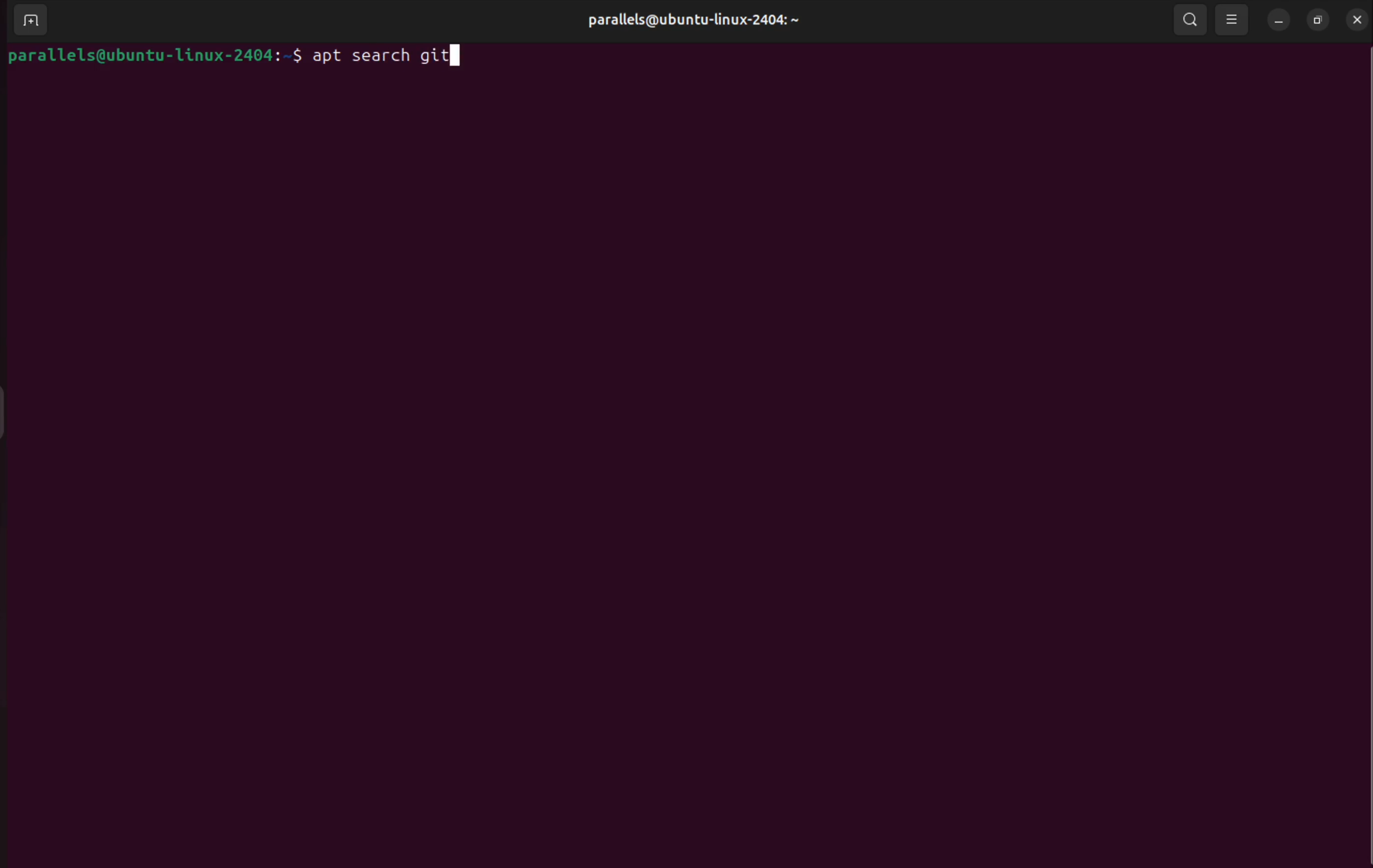  I want to click on apt search git, so click(392, 58).